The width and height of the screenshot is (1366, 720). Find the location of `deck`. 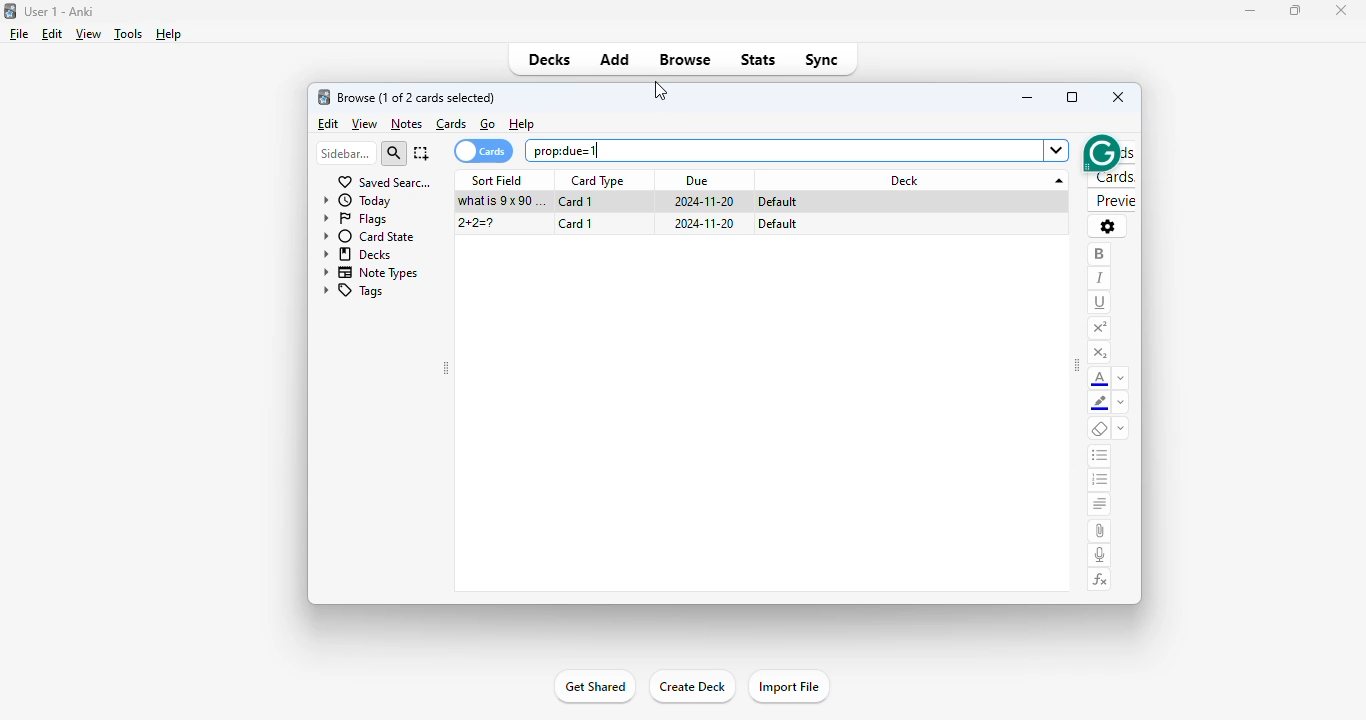

deck is located at coordinates (918, 180).